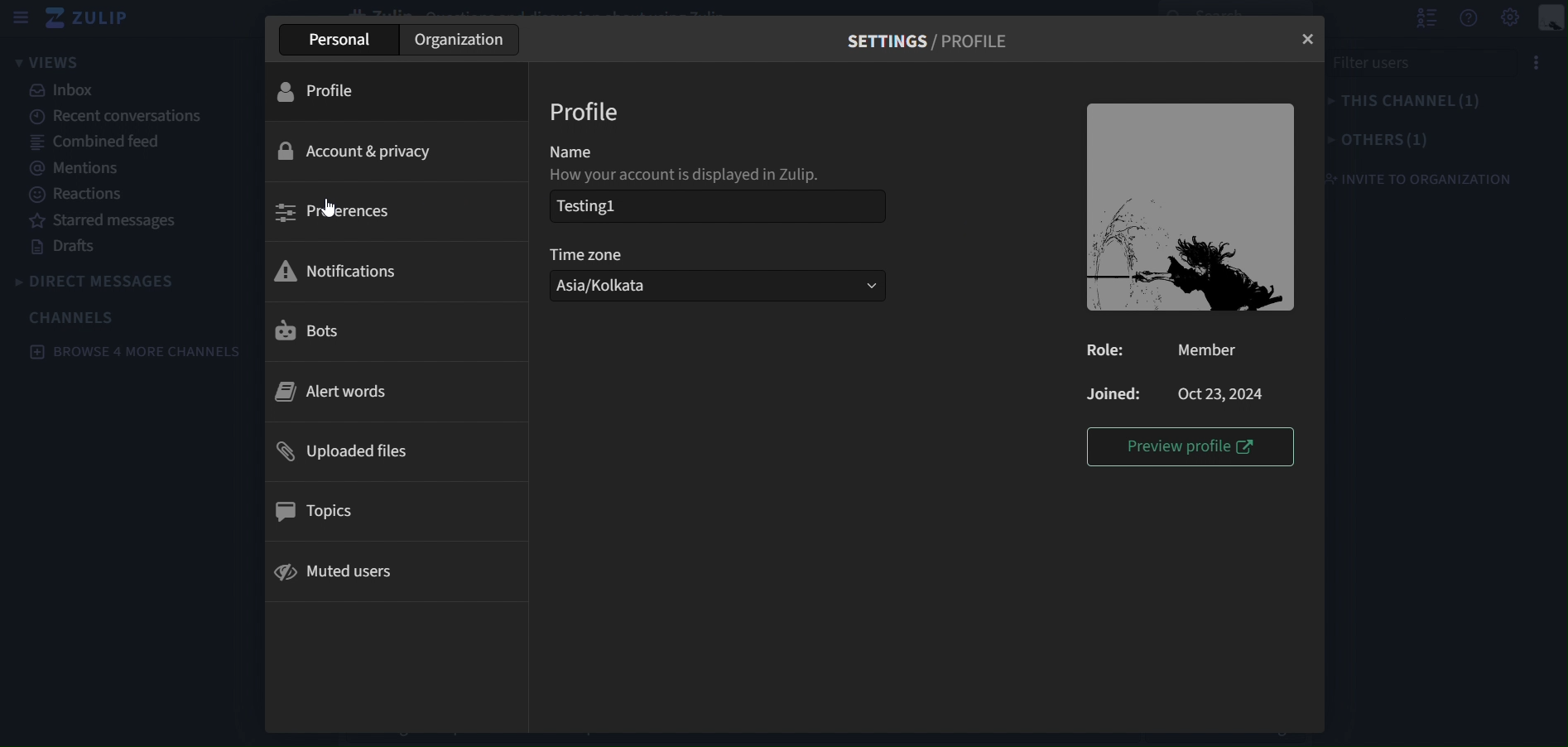 The image size is (1568, 747). What do you see at coordinates (937, 40) in the screenshot?
I see `settings/profile` at bounding box center [937, 40].